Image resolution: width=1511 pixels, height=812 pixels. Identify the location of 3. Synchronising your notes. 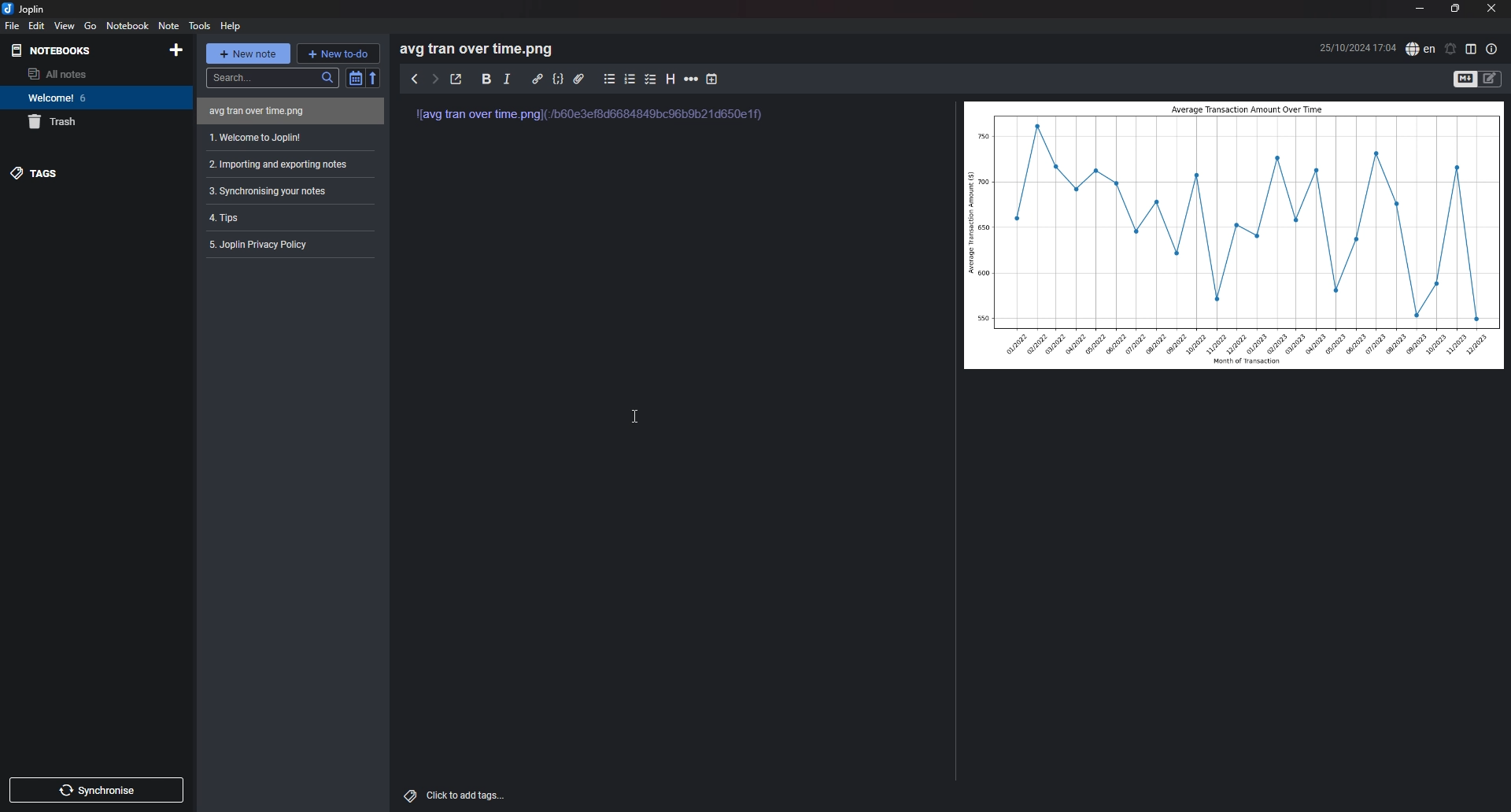
(278, 192).